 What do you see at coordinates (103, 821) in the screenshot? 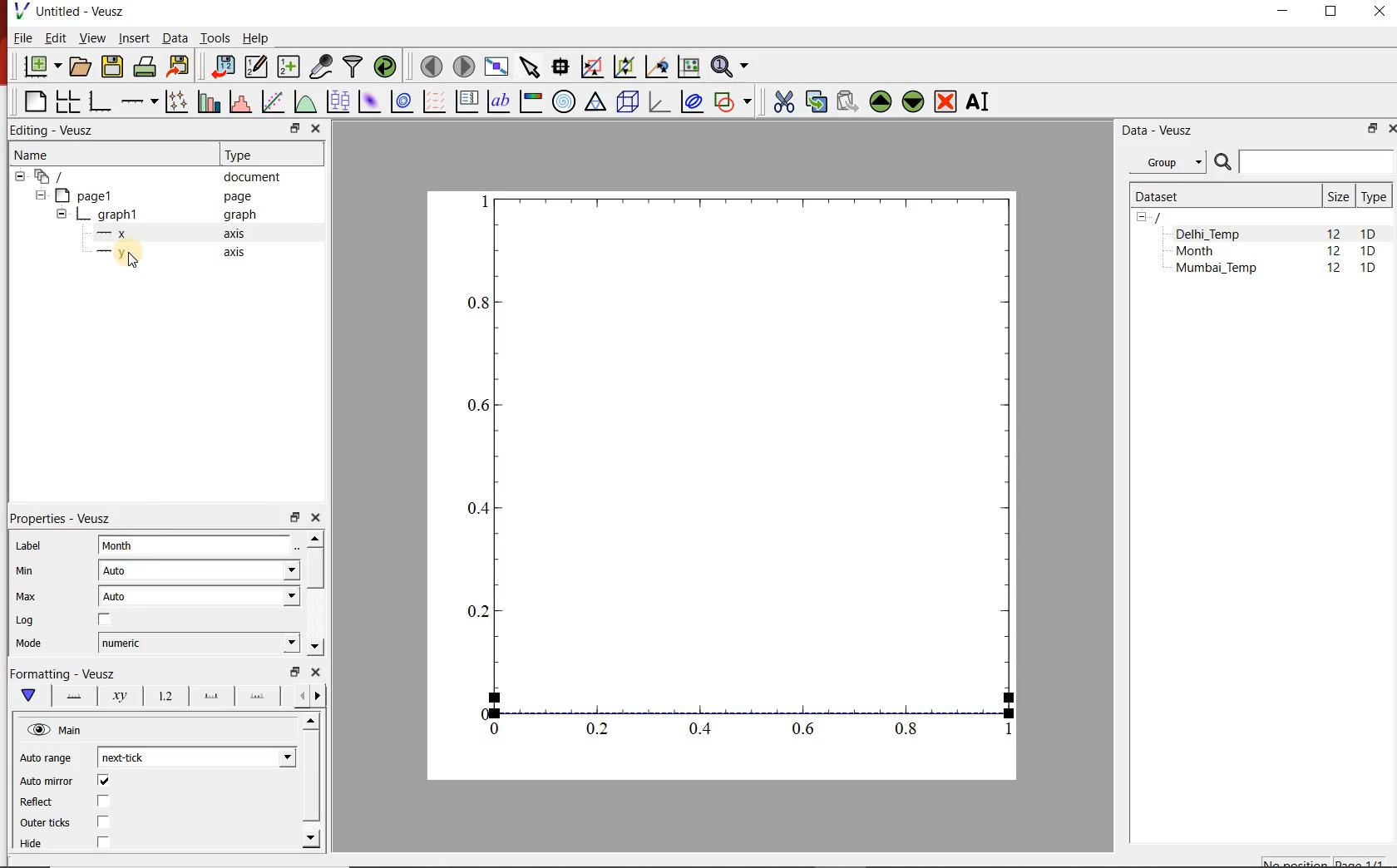
I see `check/uncheck` at bounding box center [103, 821].